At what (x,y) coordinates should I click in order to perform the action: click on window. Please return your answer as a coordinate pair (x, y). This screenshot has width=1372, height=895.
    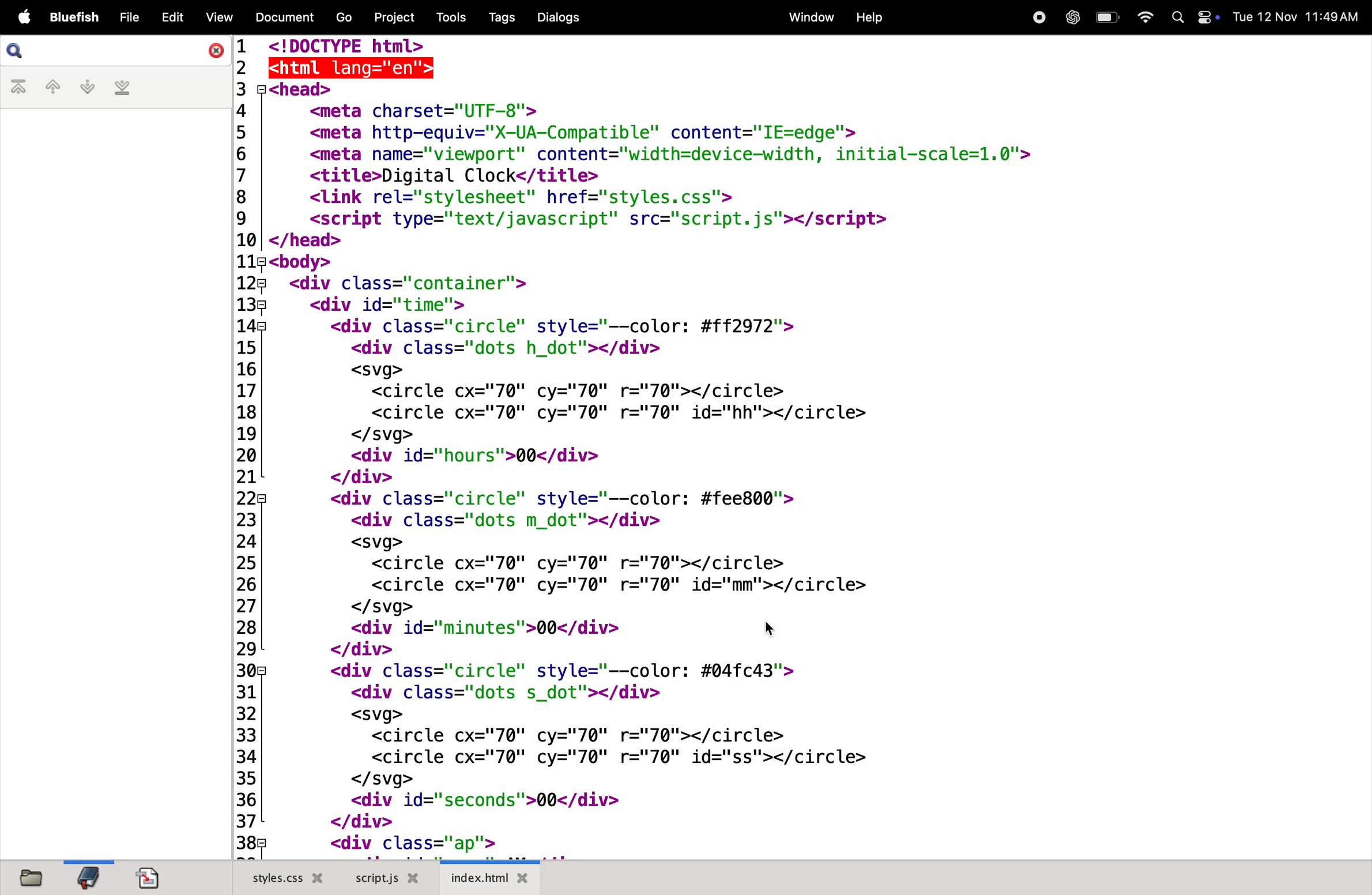
    Looking at the image, I should click on (811, 16).